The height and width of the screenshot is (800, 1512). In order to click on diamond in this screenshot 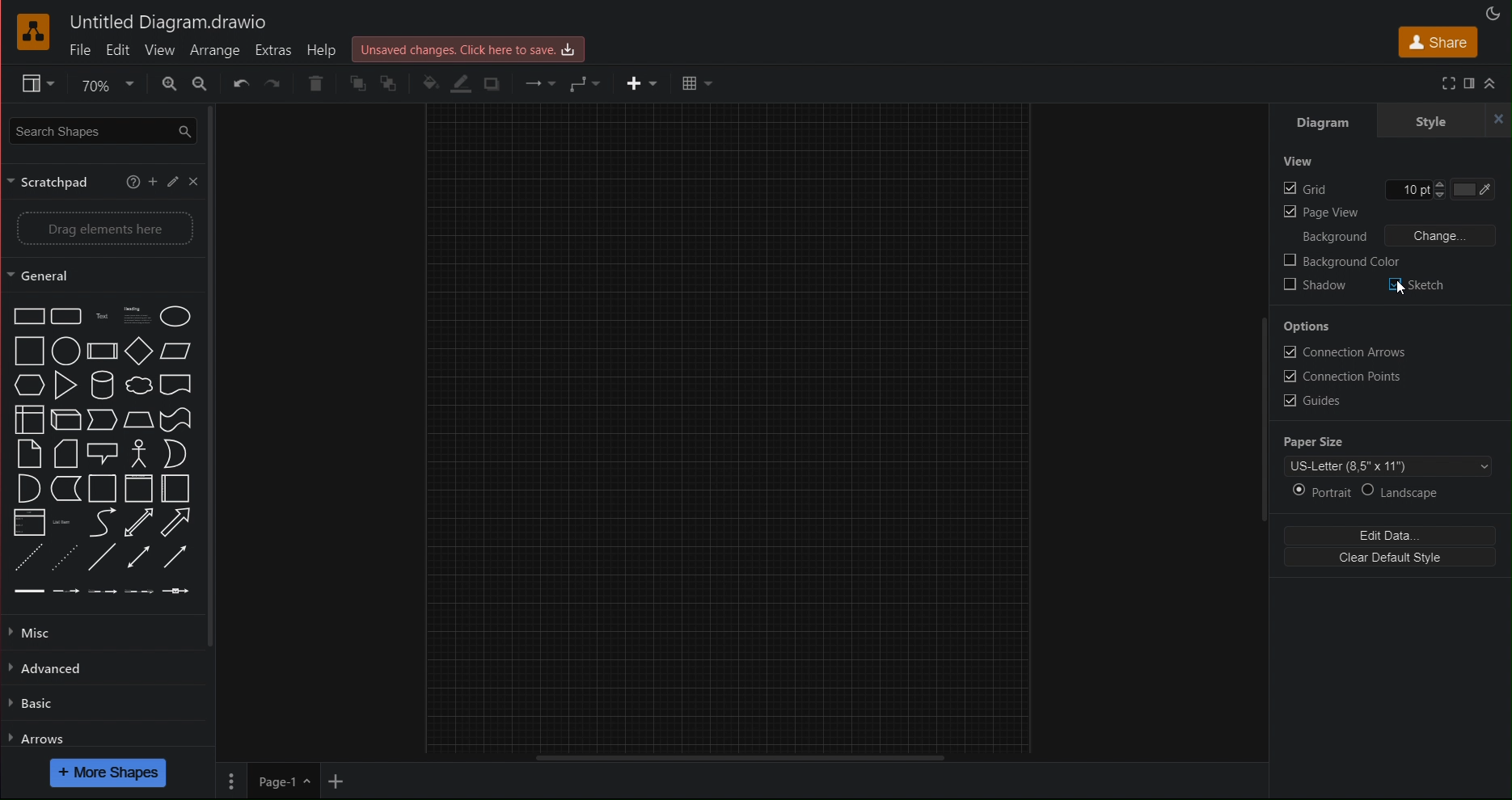, I will do `click(139, 352)`.